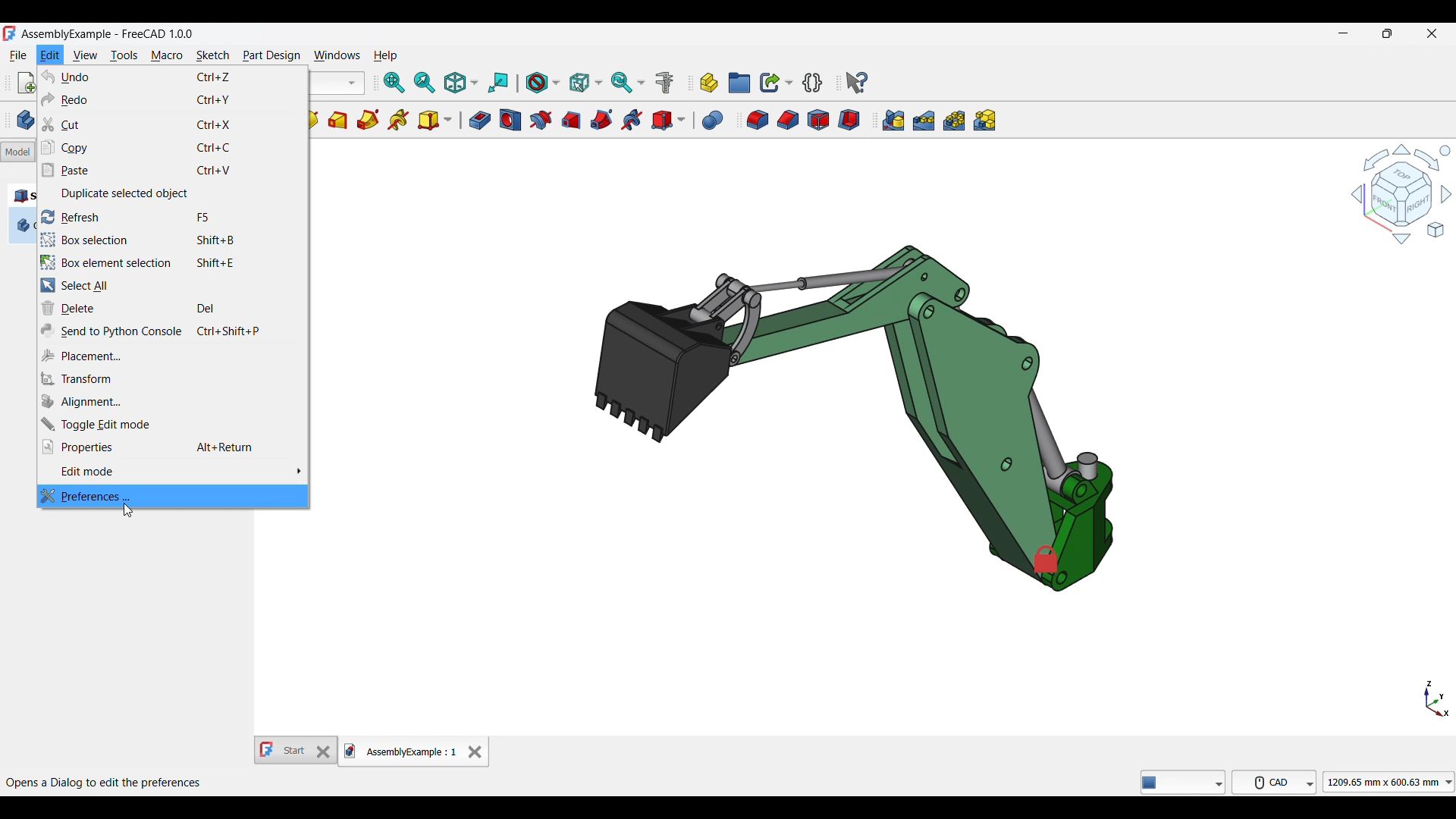 This screenshot has width=1456, height=819. What do you see at coordinates (166, 56) in the screenshot?
I see `Macro menu` at bounding box center [166, 56].